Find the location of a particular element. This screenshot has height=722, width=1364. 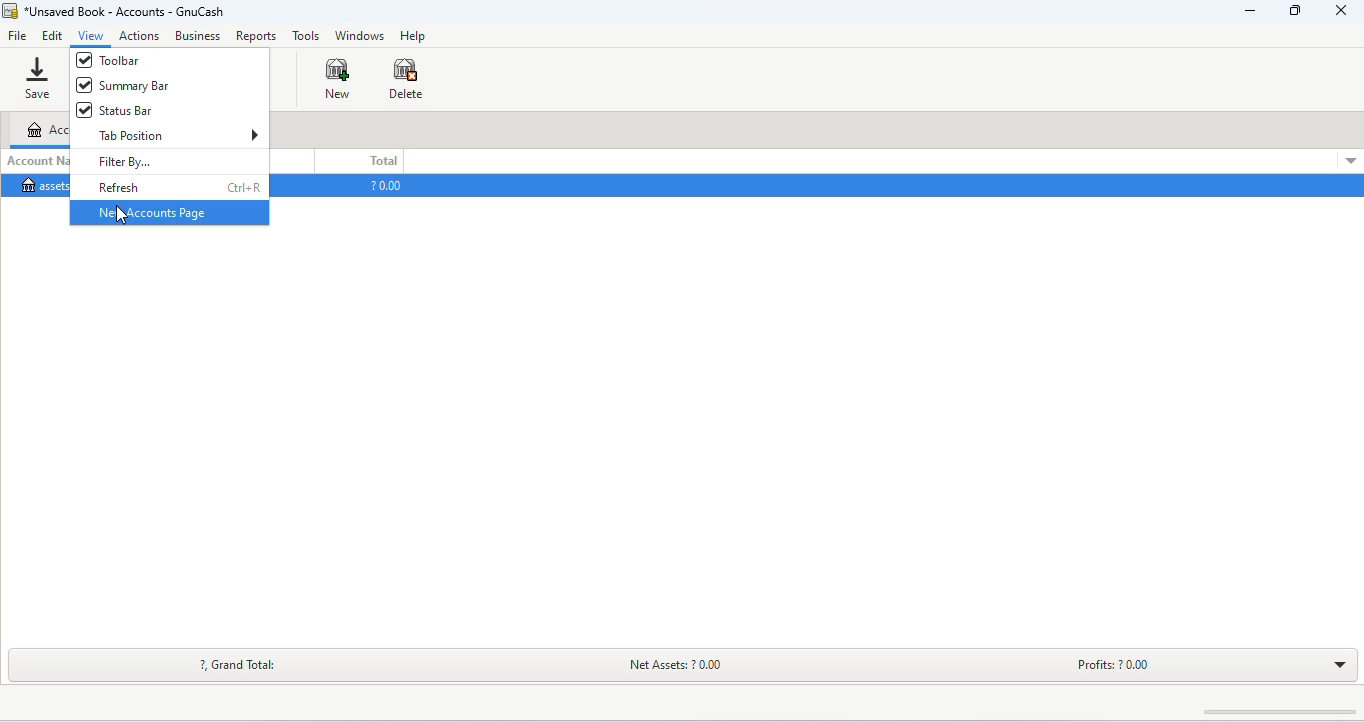

total is located at coordinates (382, 161).